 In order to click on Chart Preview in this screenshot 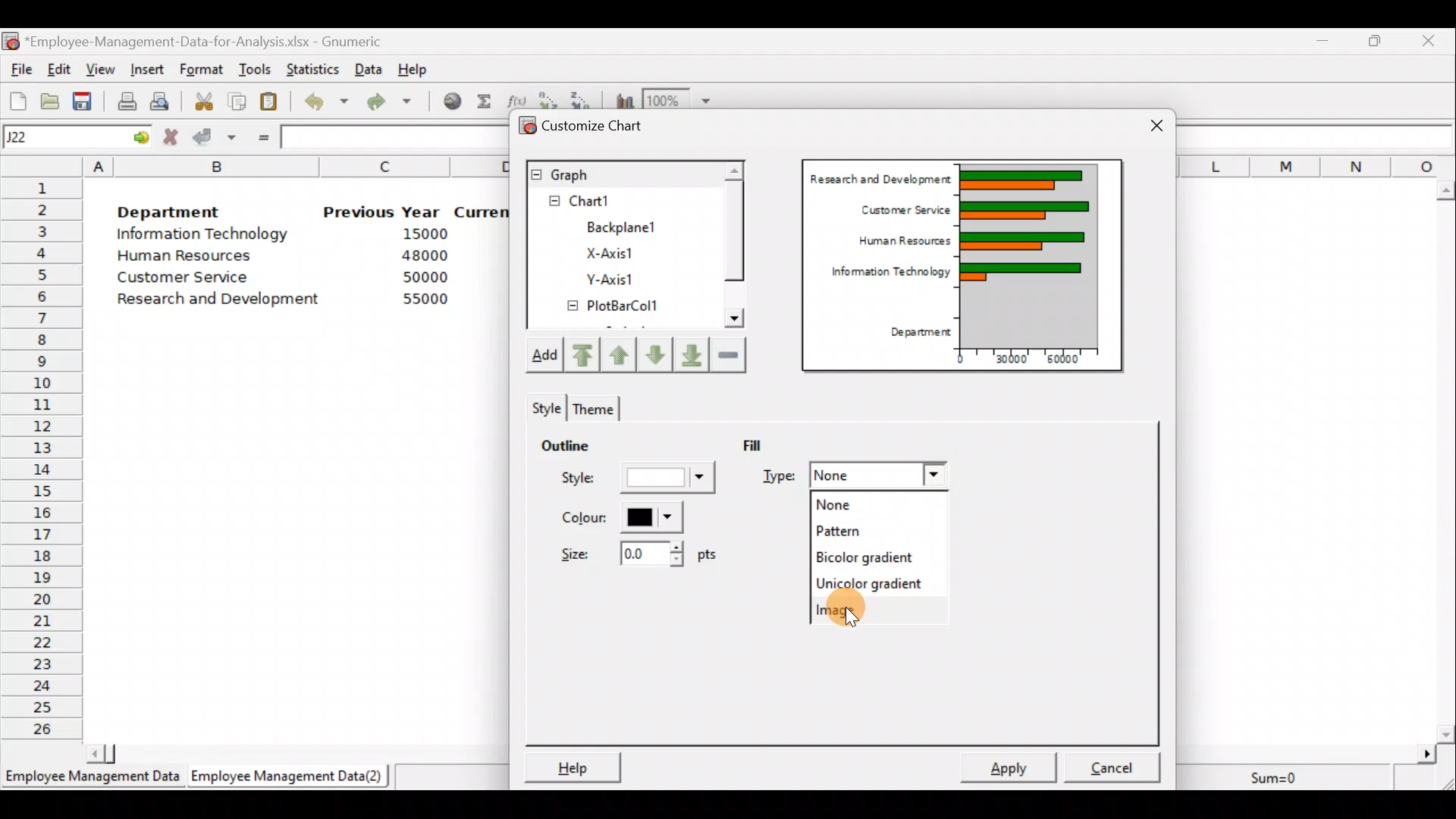, I will do `click(1029, 254)`.